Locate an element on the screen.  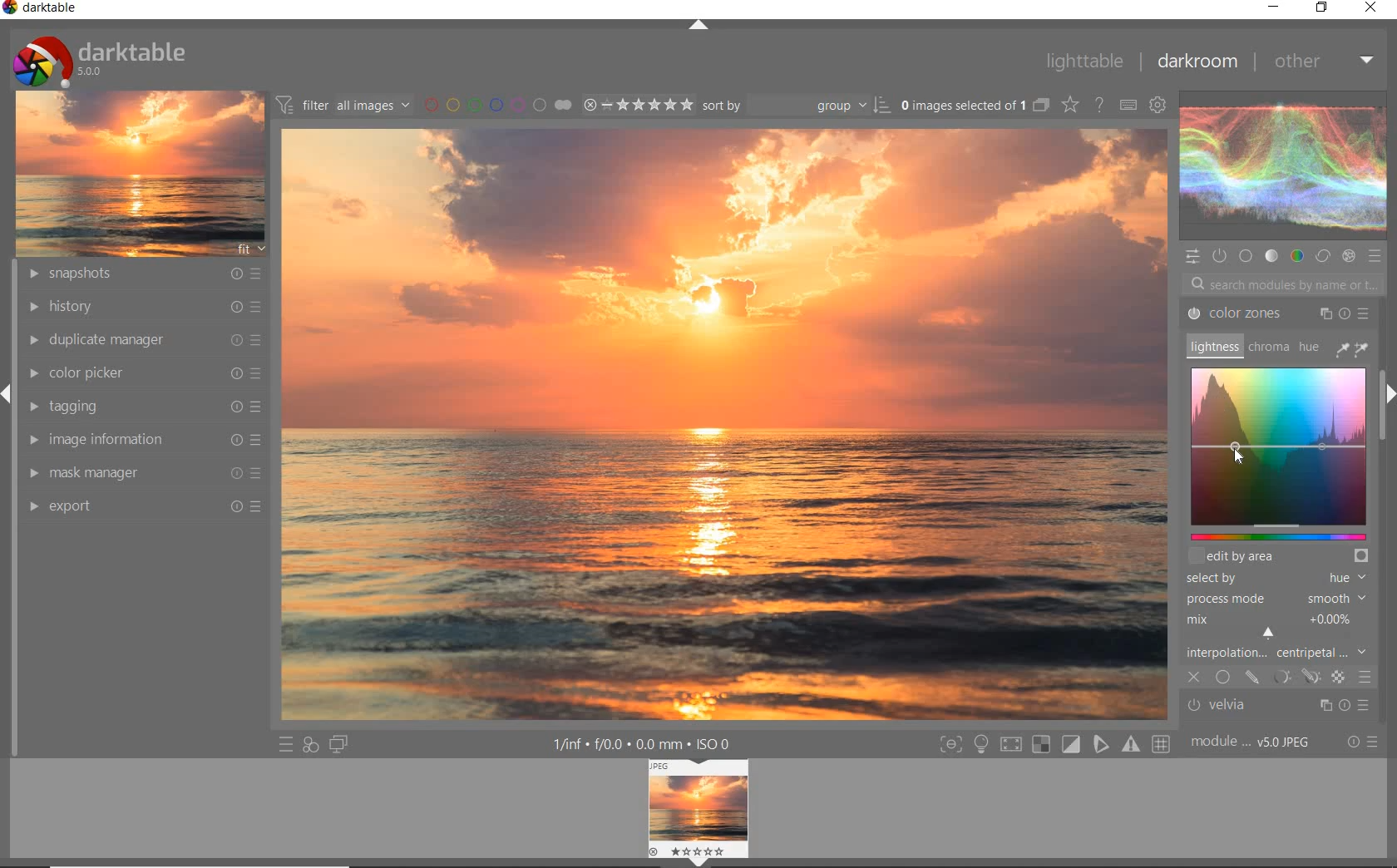
CORRECT is located at coordinates (1323, 257).